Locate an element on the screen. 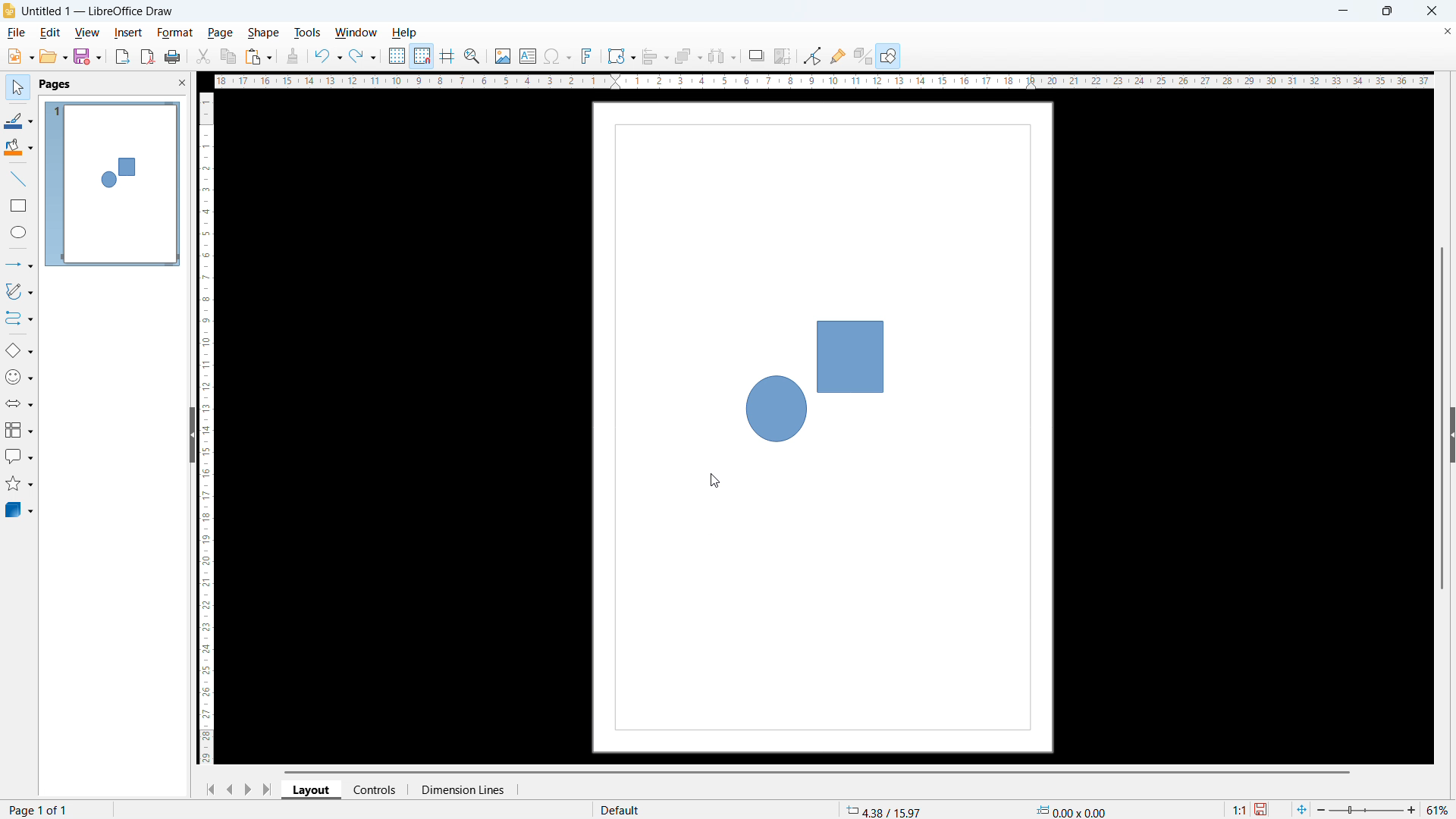 The width and height of the screenshot is (1456, 819). shapes is located at coordinates (817, 382).